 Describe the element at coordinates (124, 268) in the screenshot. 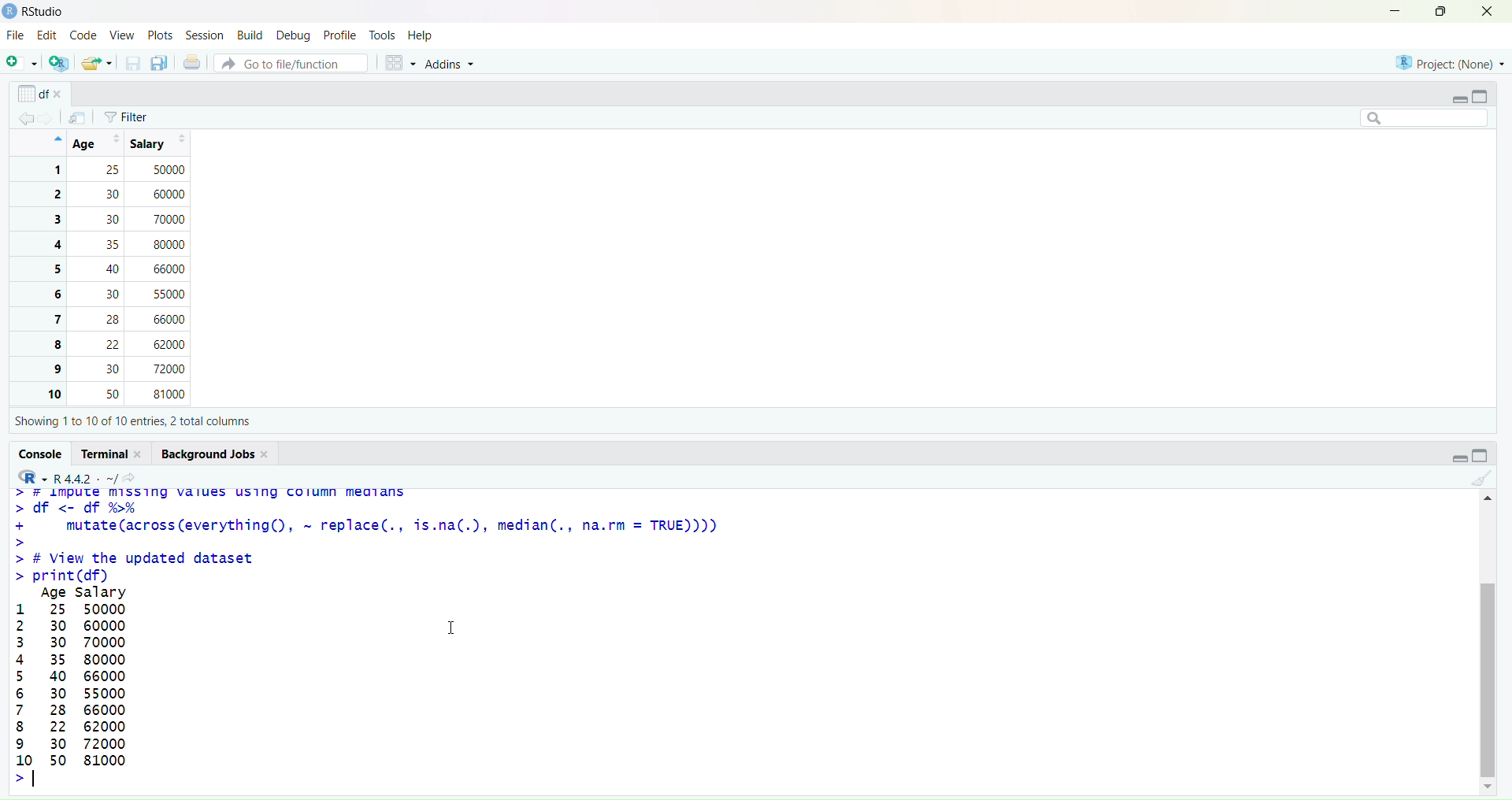

I see `Age Salary
1 25 50000
2 30 60000
3 N 70000
4 35 80000
5 40 NA
6 NA 55000
7 28 NA
8 22 62000
9 N 72000
10 50 81000` at that location.